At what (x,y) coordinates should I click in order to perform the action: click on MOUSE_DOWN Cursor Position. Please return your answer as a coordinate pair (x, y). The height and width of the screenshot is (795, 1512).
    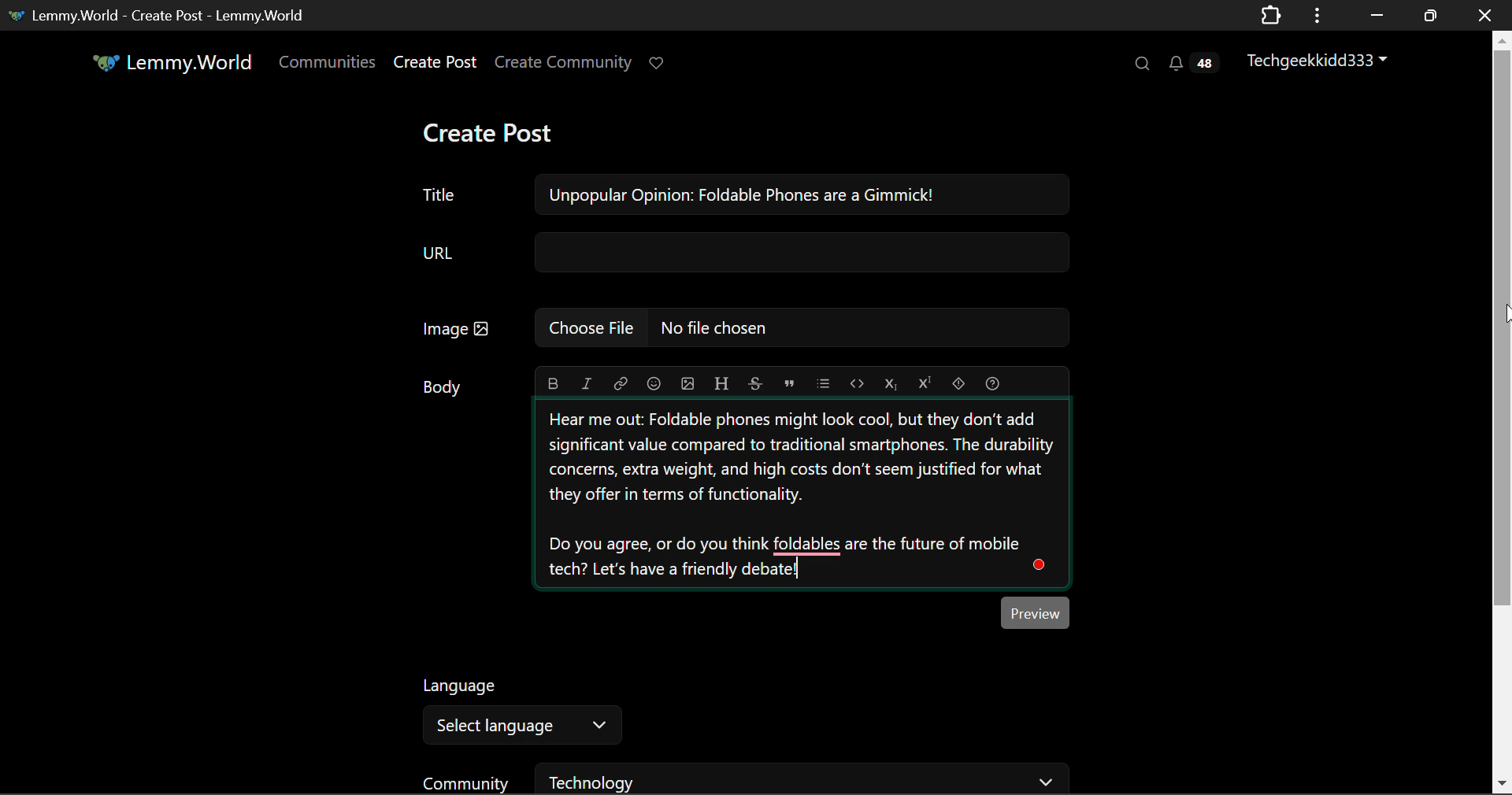
    Looking at the image, I should click on (1503, 313).